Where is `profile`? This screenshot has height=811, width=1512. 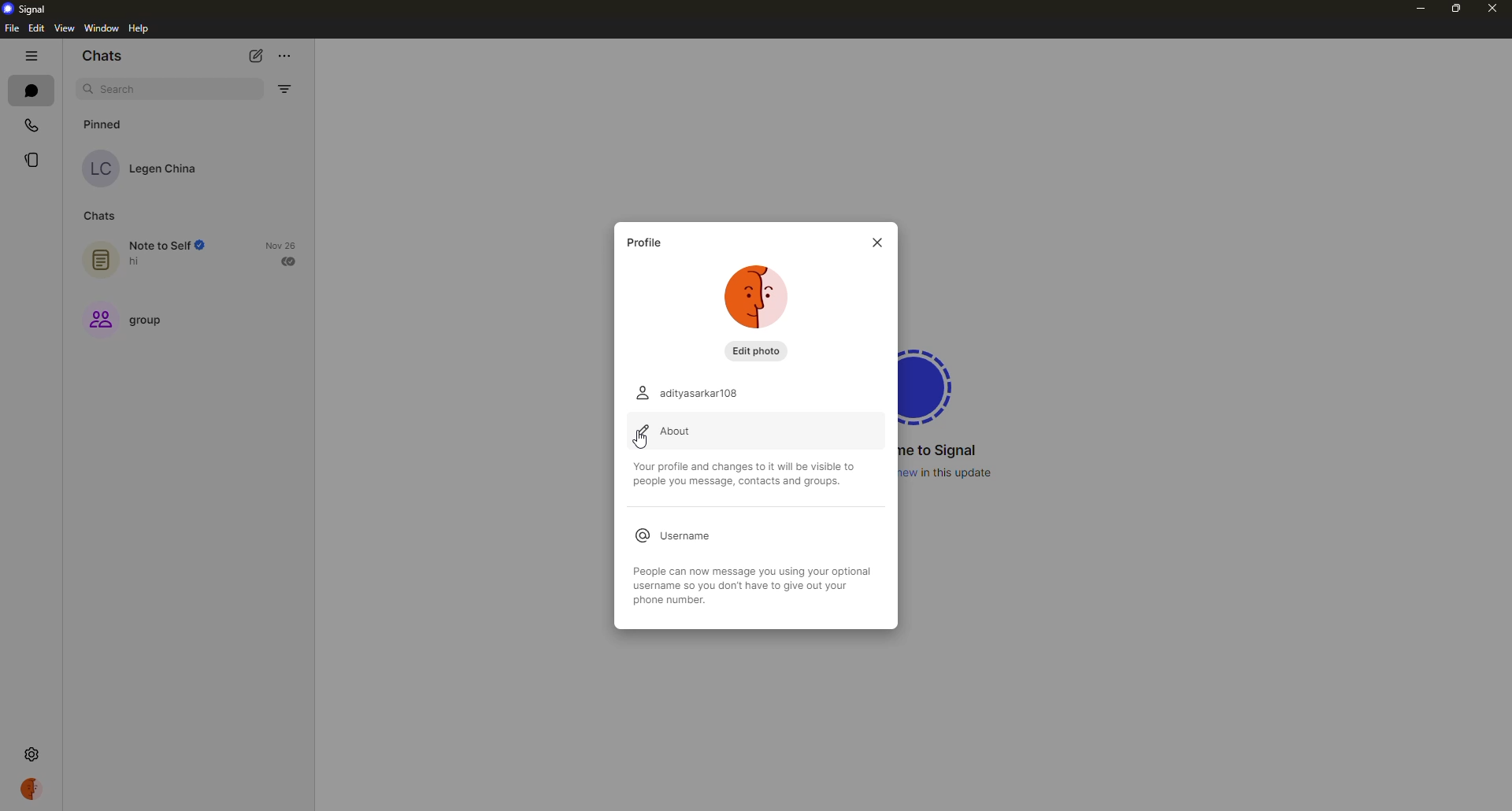
profile is located at coordinates (647, 243).